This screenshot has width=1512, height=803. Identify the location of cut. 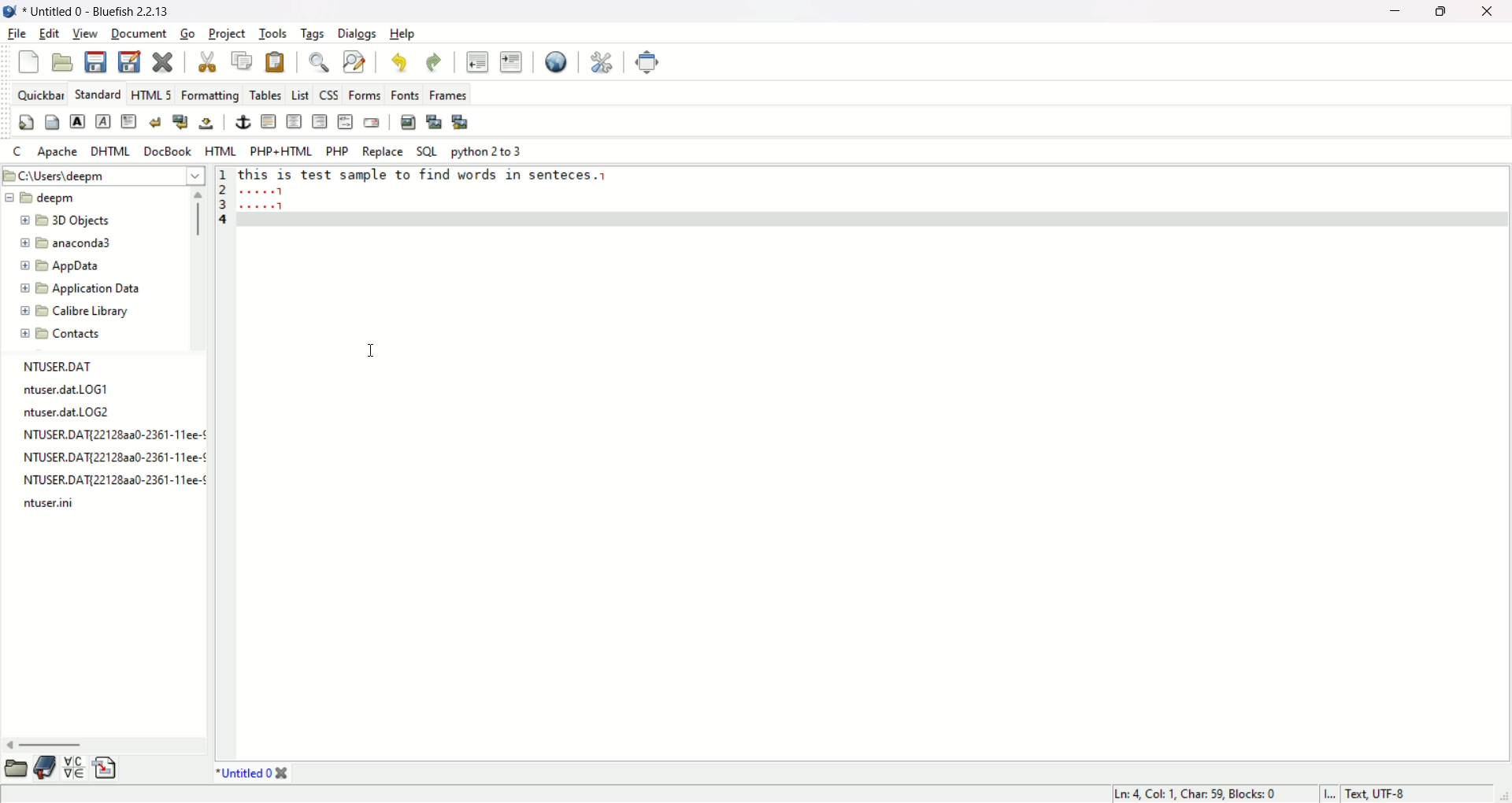
(208, 62).